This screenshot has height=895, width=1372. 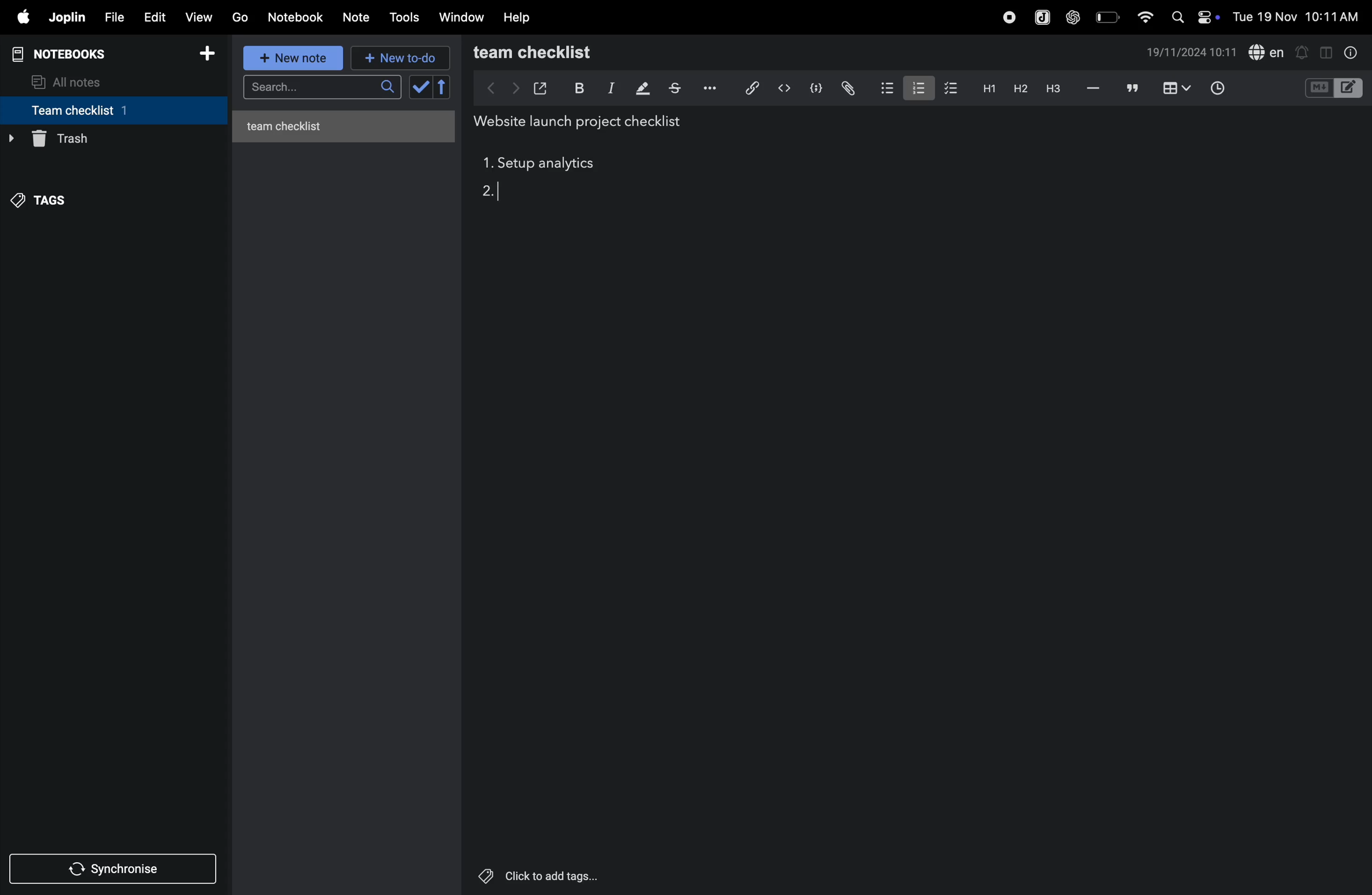 What do you see at coordinates (847, 88) in the screenshot?
I see `attach file` at bounding box center [847, 88].